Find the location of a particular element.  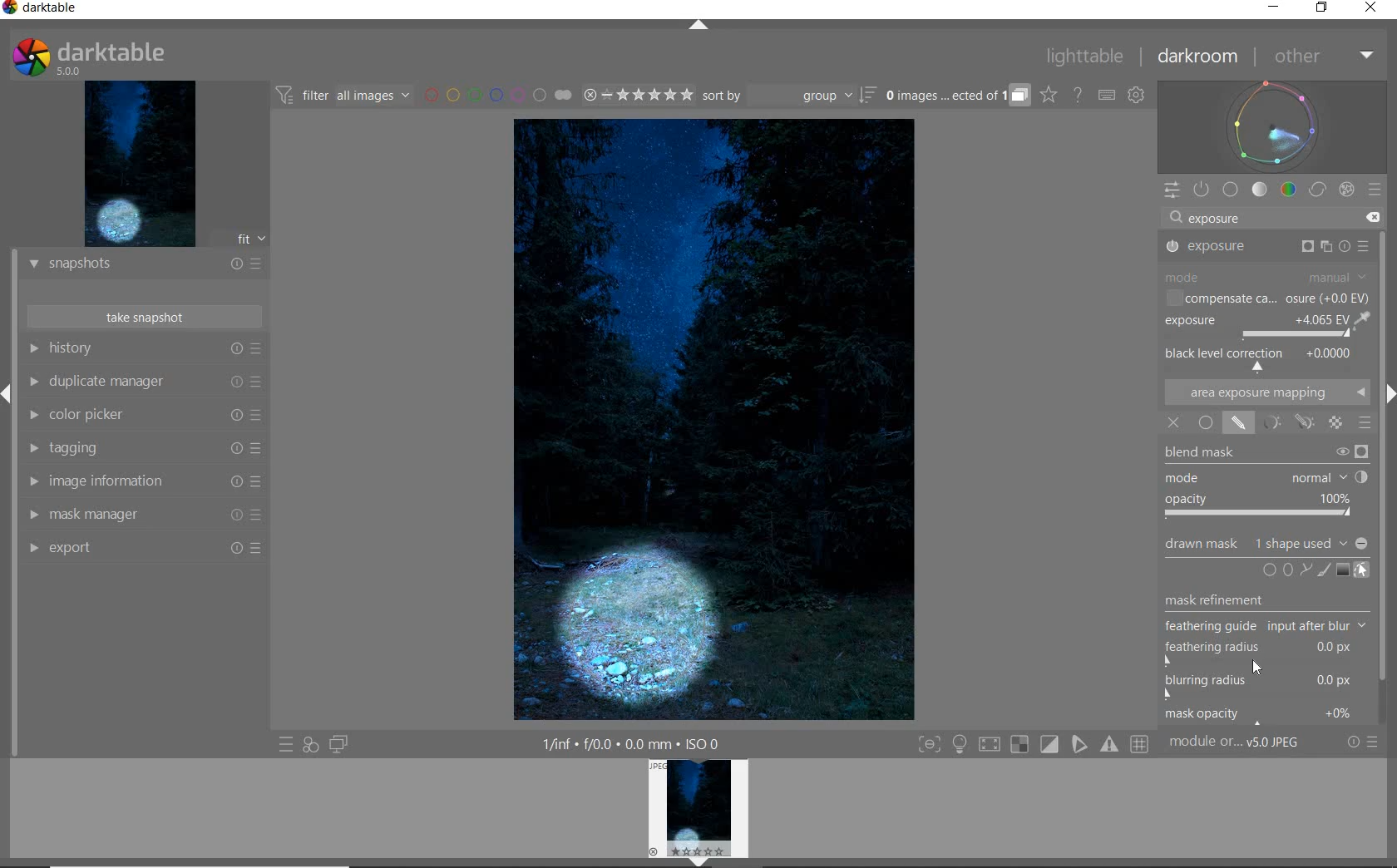

MASK OPTIONS is located at coordinates (1286, 422).